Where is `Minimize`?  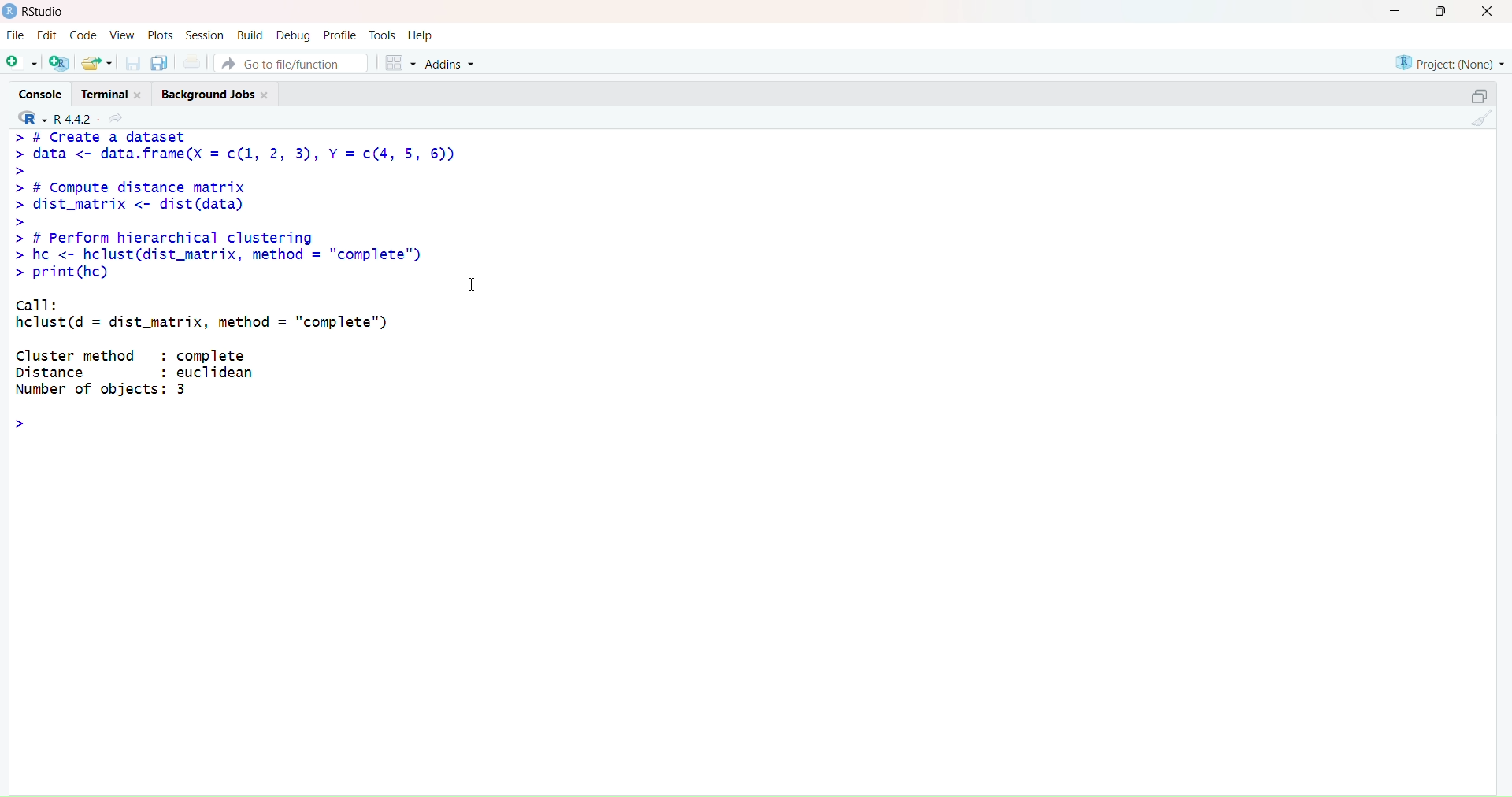 Minimize is located at coordinates (1397, 14).